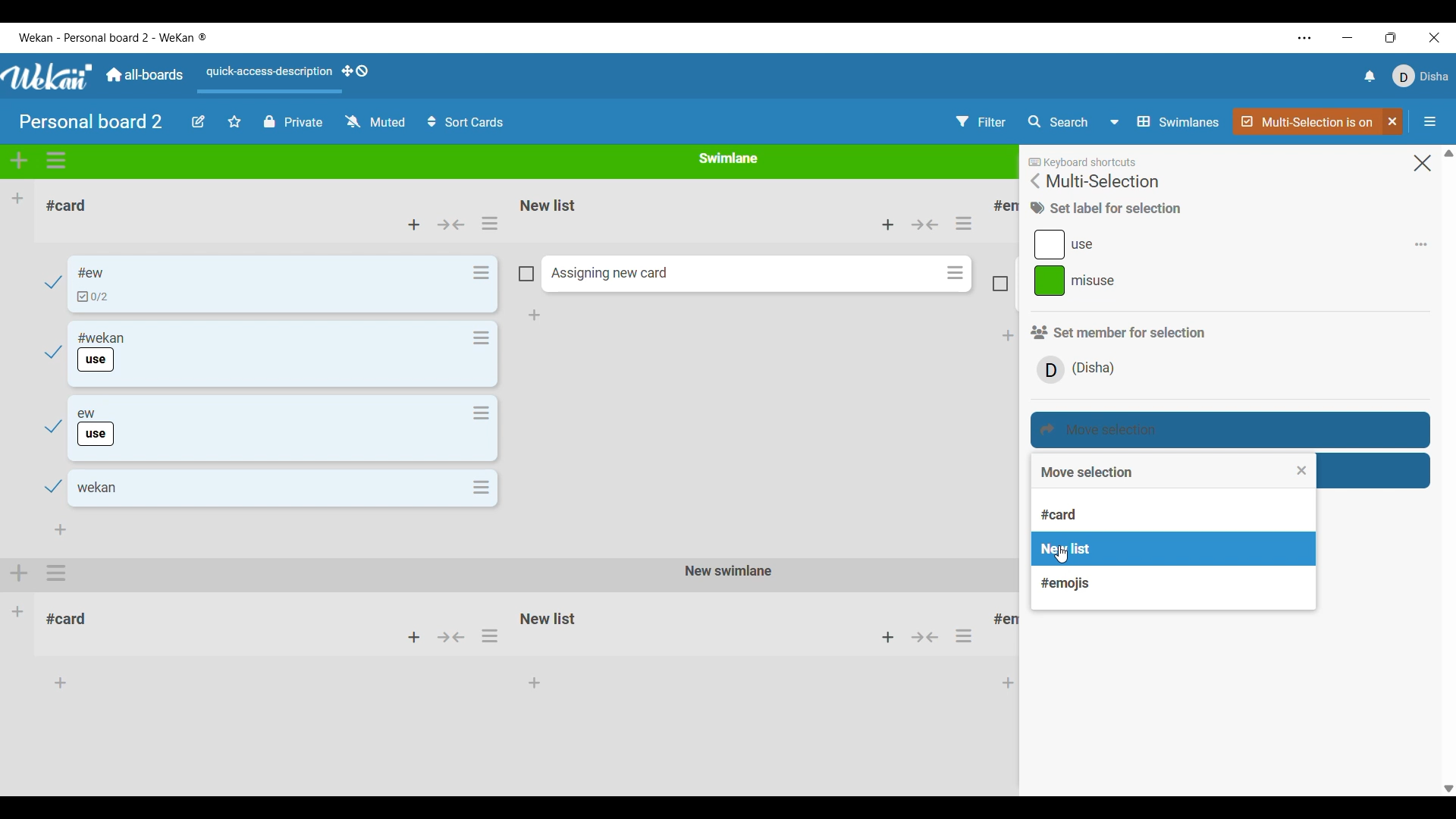 The height and width of the screenshot is (819, 1456). I want to click on Edit board, so click(198, 122).